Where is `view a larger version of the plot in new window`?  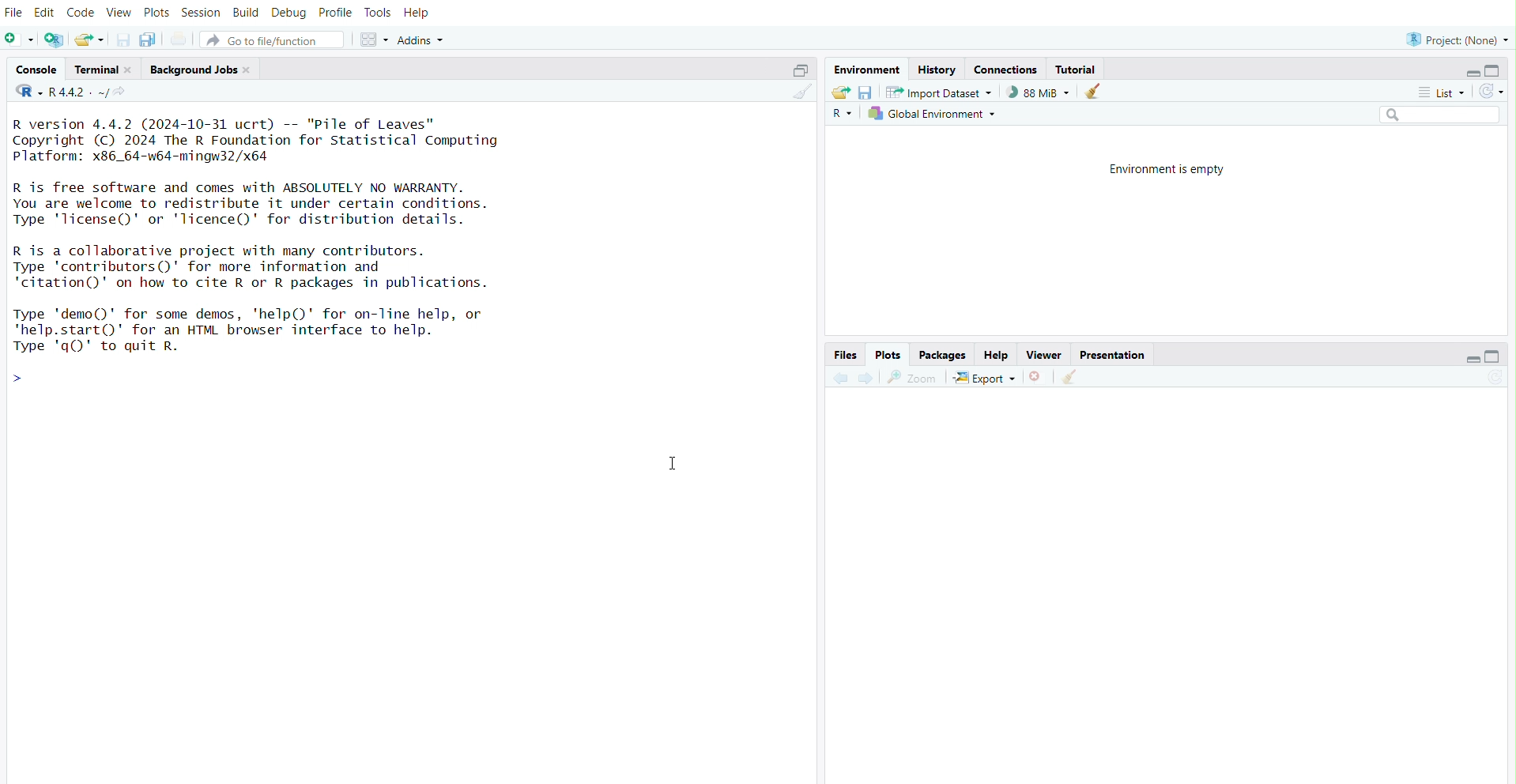
view a larger version of the plot in new window is located at coordinates (911, 377).